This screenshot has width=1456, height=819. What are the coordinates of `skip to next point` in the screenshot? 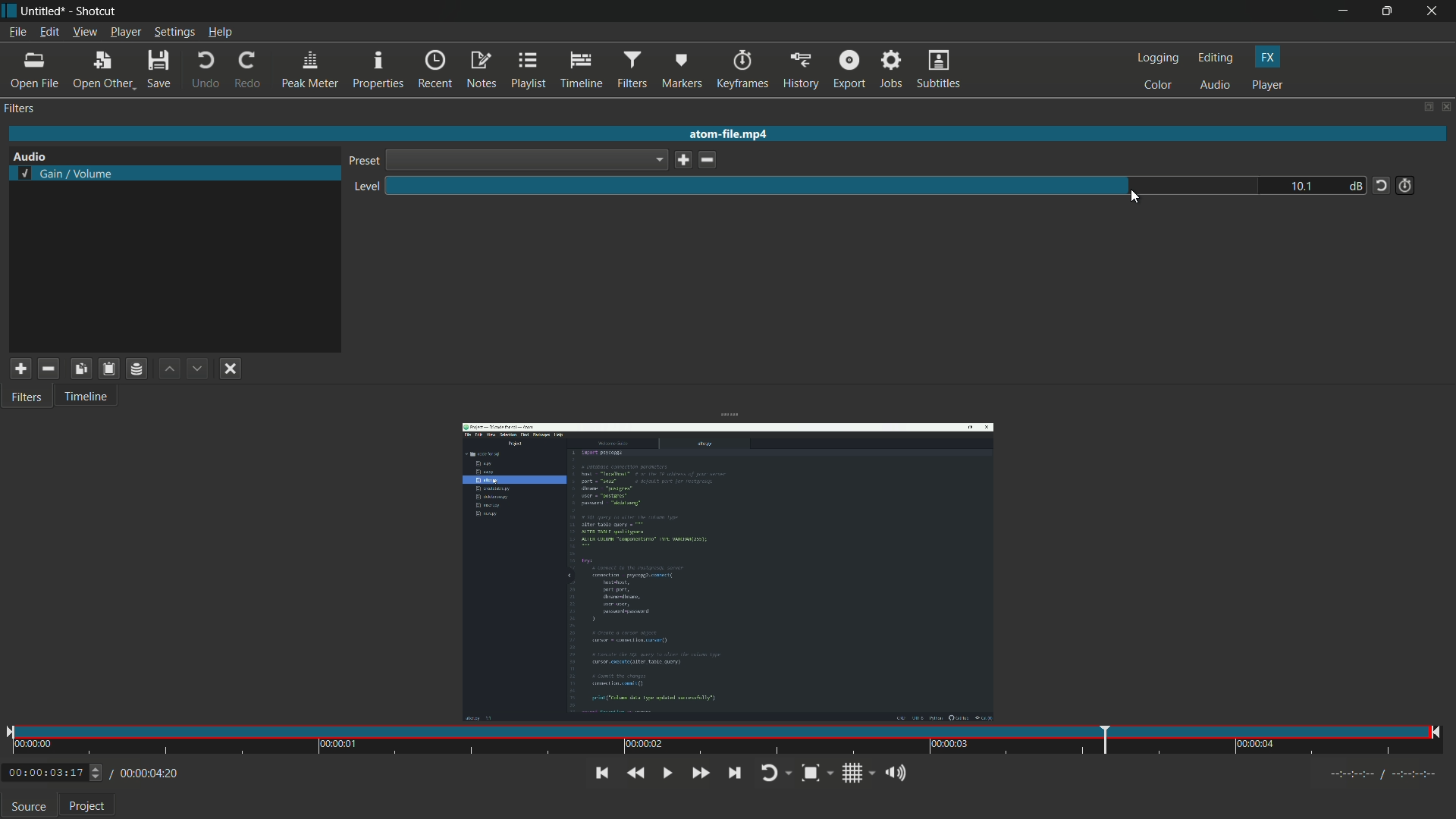 It's located at (734, 773).